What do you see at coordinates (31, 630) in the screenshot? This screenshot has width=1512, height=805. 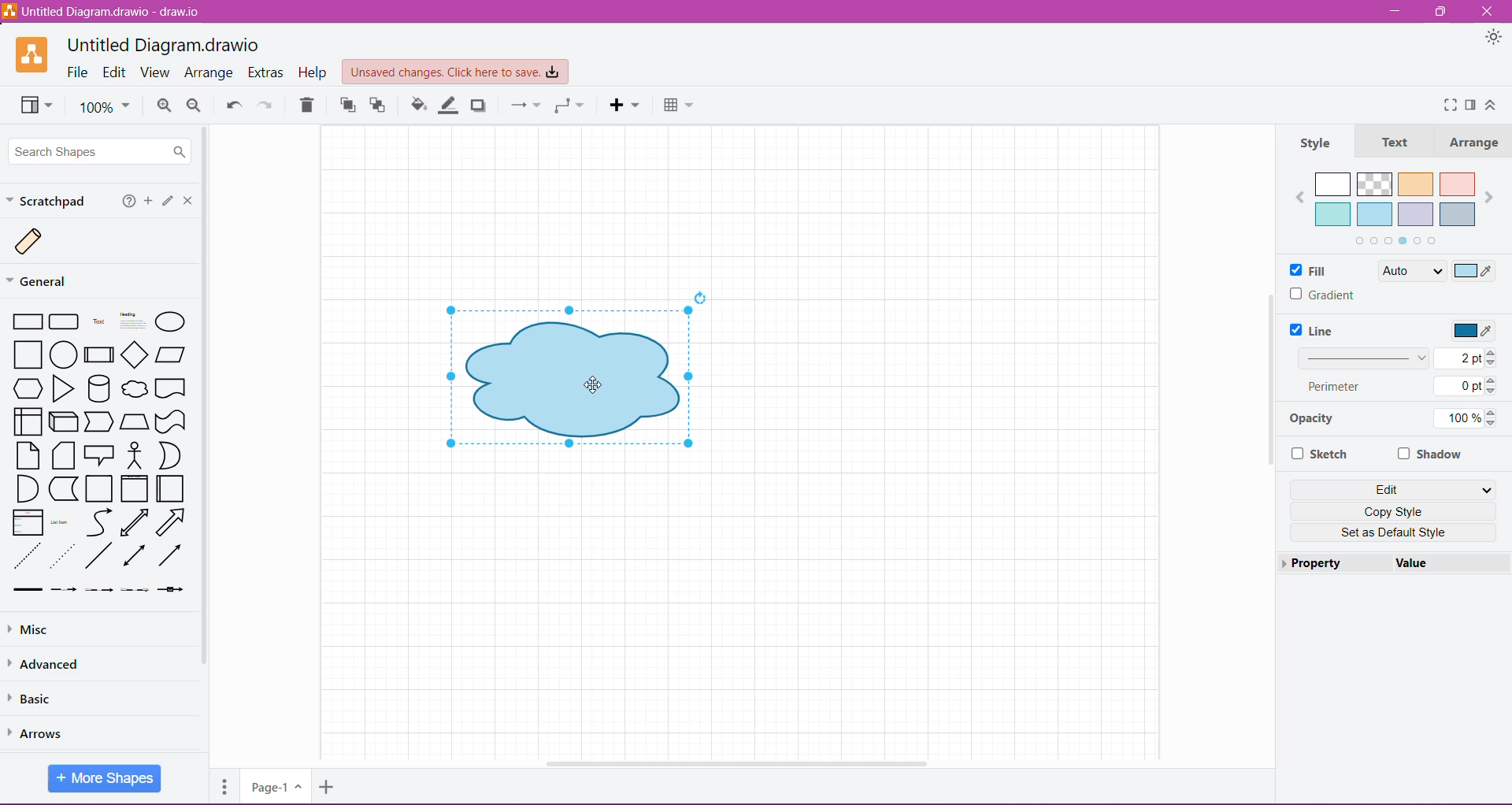 I see `Misc` at bounding box center [31, 630].